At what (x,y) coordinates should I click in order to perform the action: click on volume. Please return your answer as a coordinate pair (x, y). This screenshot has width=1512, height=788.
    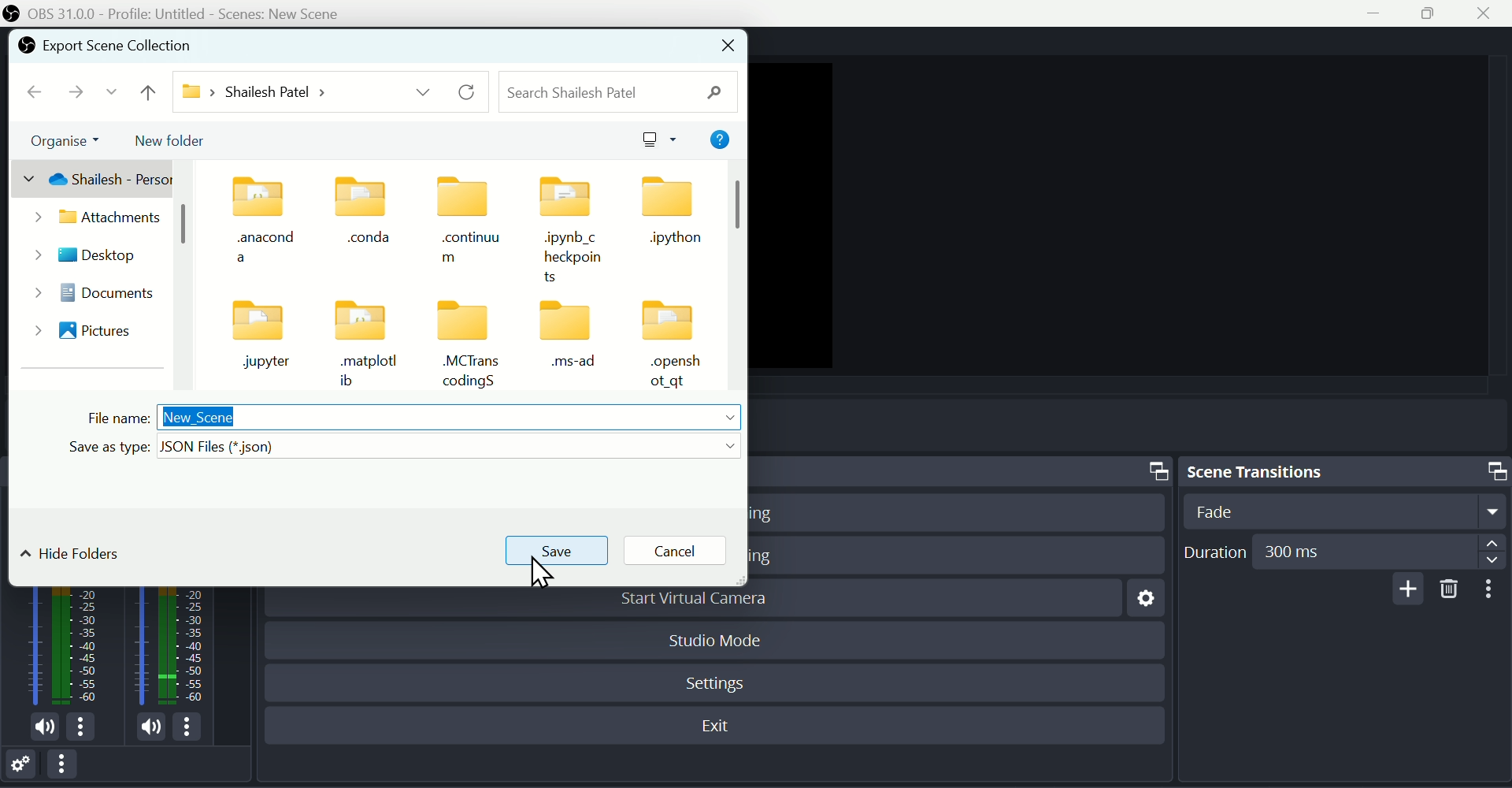
    Looking at the image, I should click on (41, 729).